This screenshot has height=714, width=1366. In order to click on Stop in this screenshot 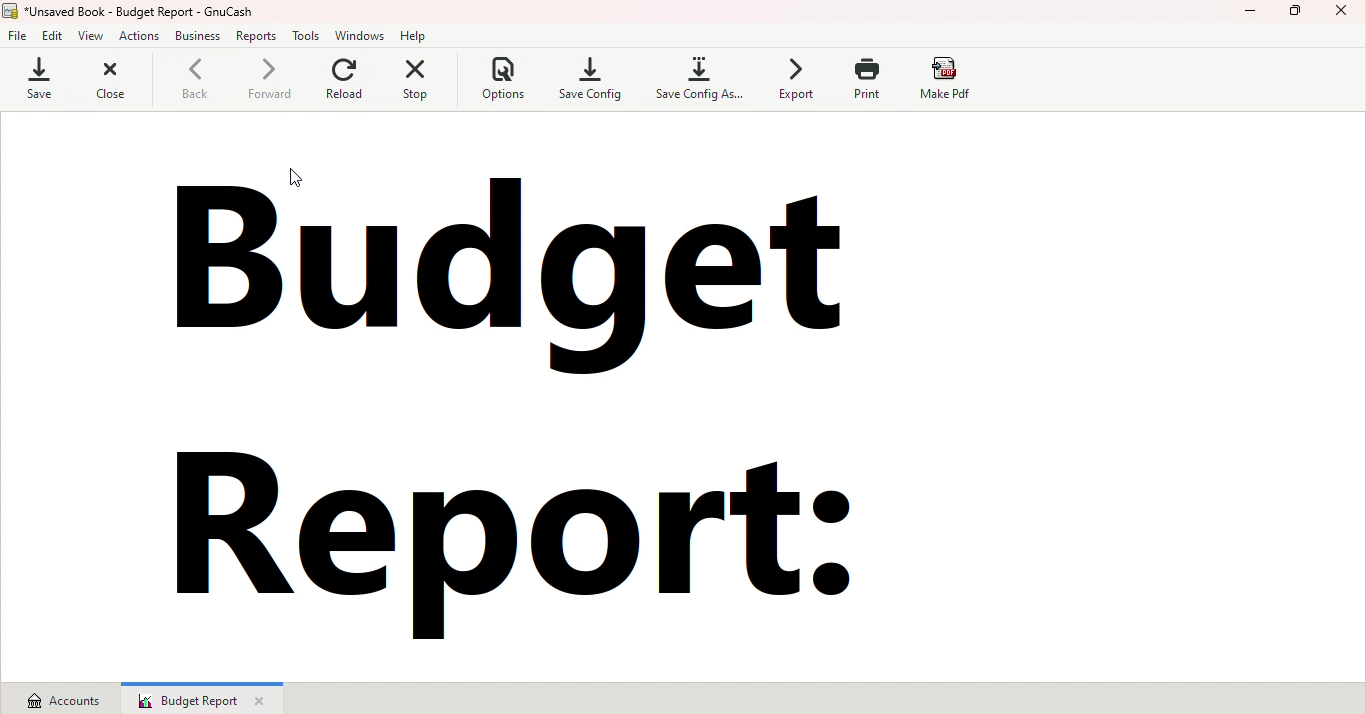, I will do `click(418, 80)`.